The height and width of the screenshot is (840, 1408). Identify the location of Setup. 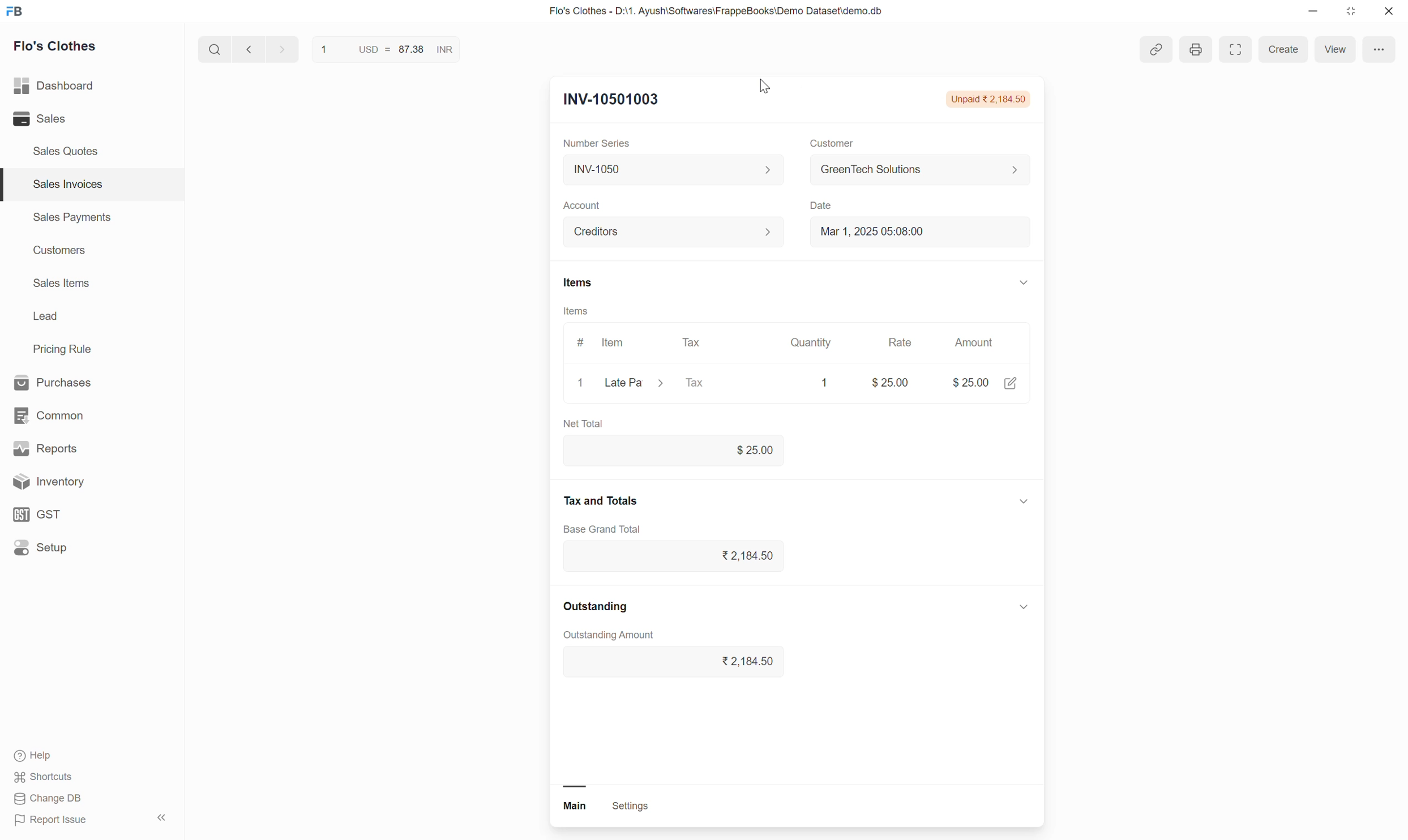
(82, 551).